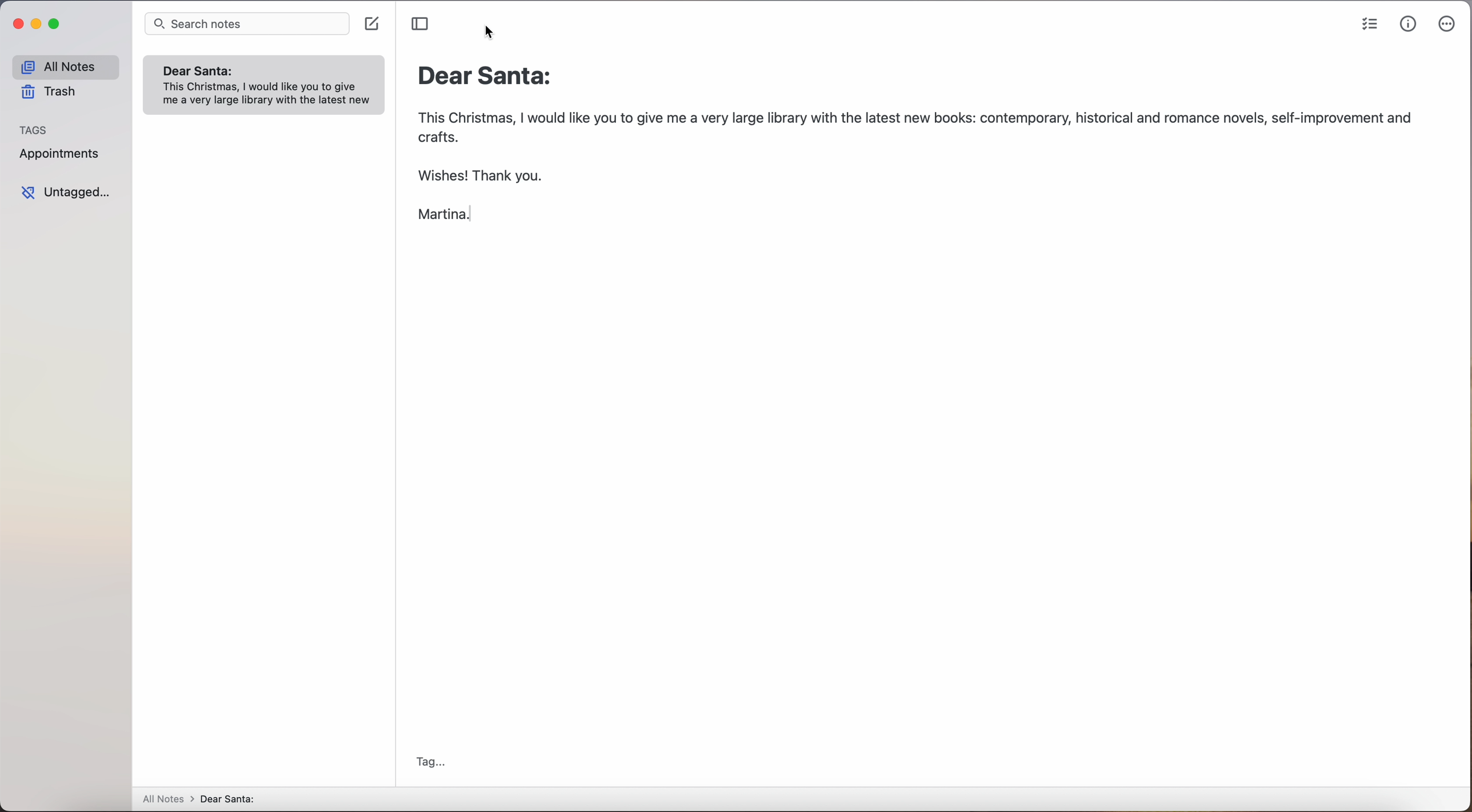 The width and height of the screenshot is (1472, 812). Describe the element at coordinates (267, 84) in the screenshot. I see `Santa Claus letter` at that location.